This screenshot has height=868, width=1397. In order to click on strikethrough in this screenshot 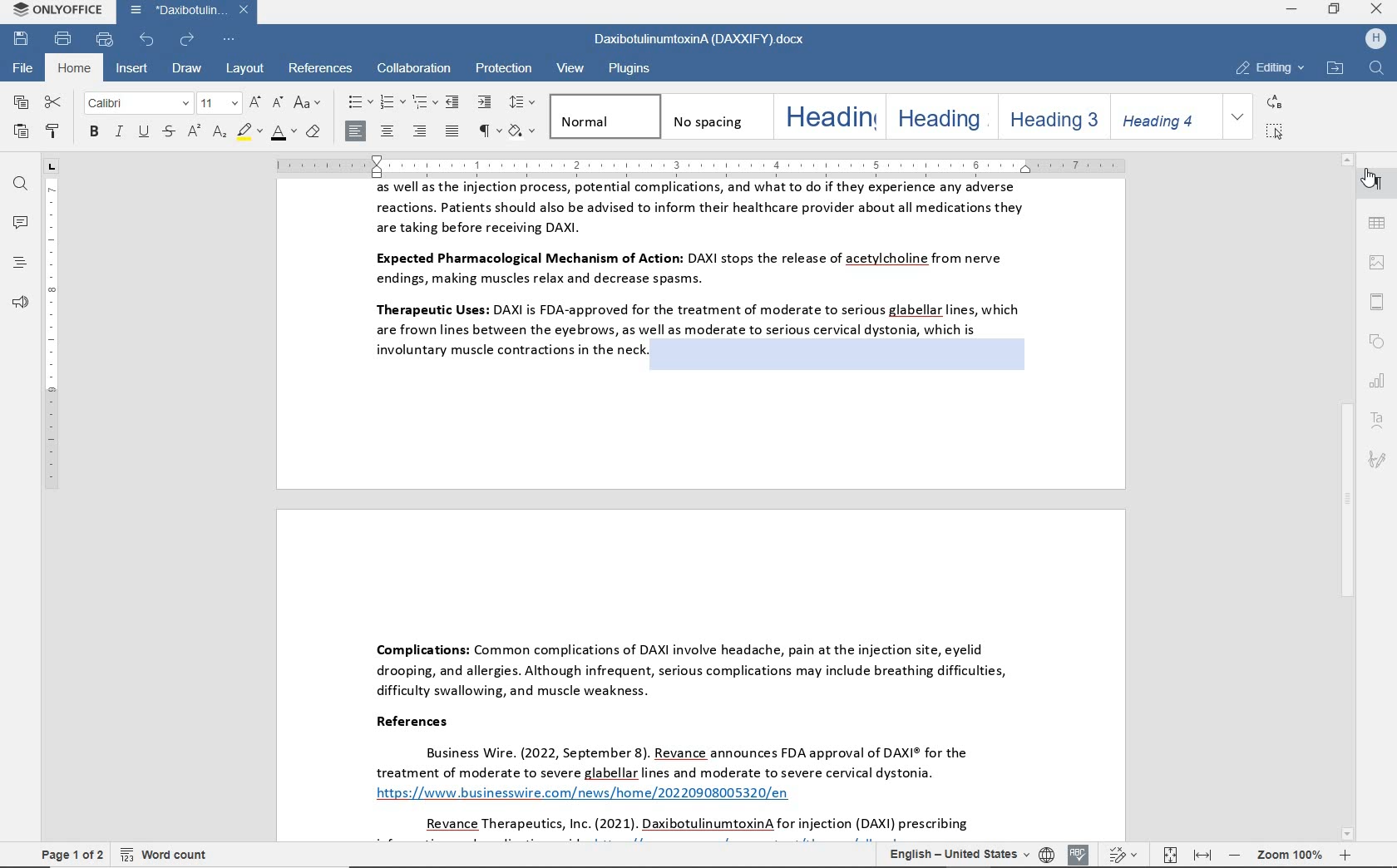, I will do `click(167, 133)`.